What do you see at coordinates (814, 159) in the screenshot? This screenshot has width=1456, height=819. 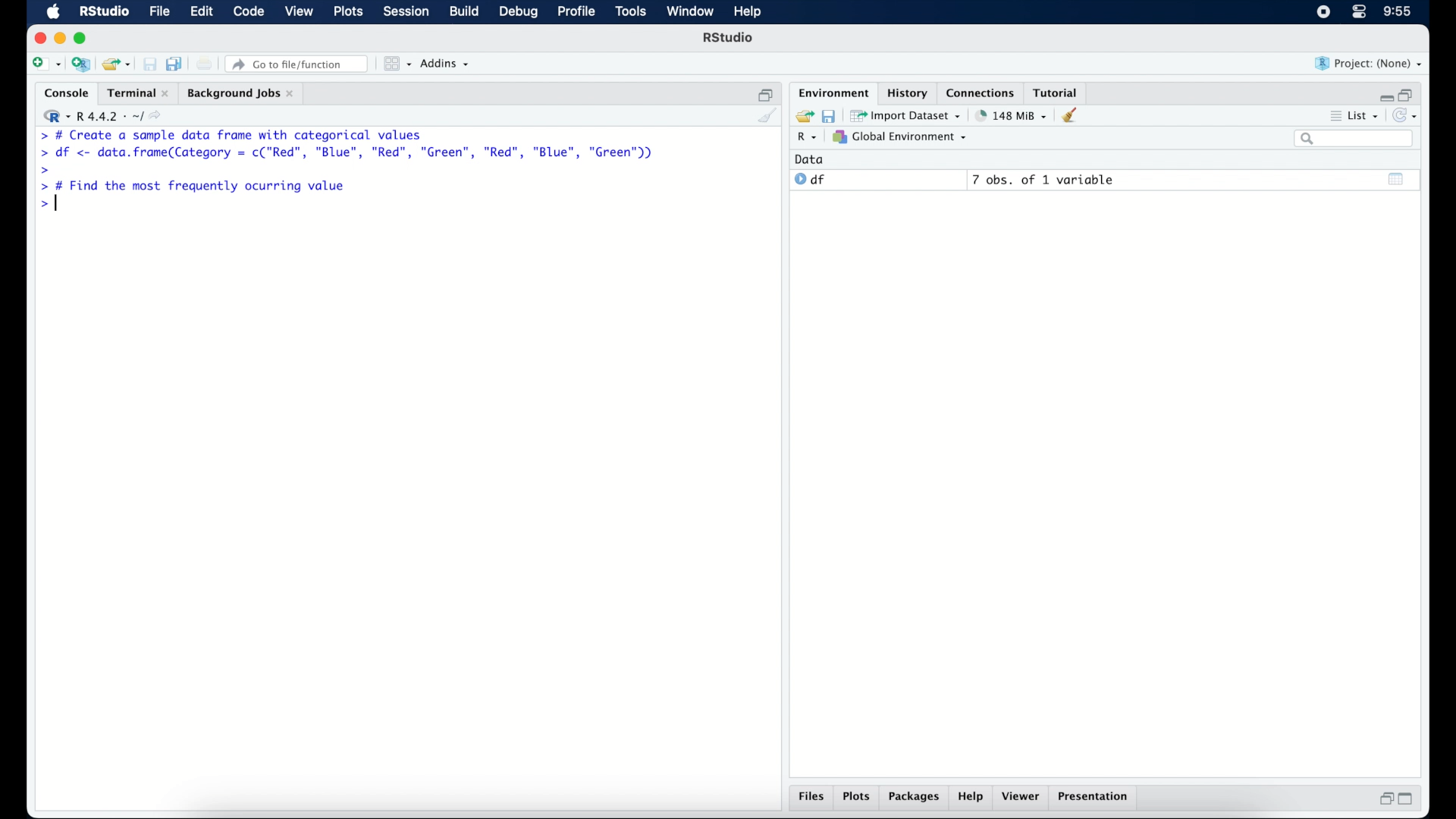 I see `data` at bounding box center [814, 159].